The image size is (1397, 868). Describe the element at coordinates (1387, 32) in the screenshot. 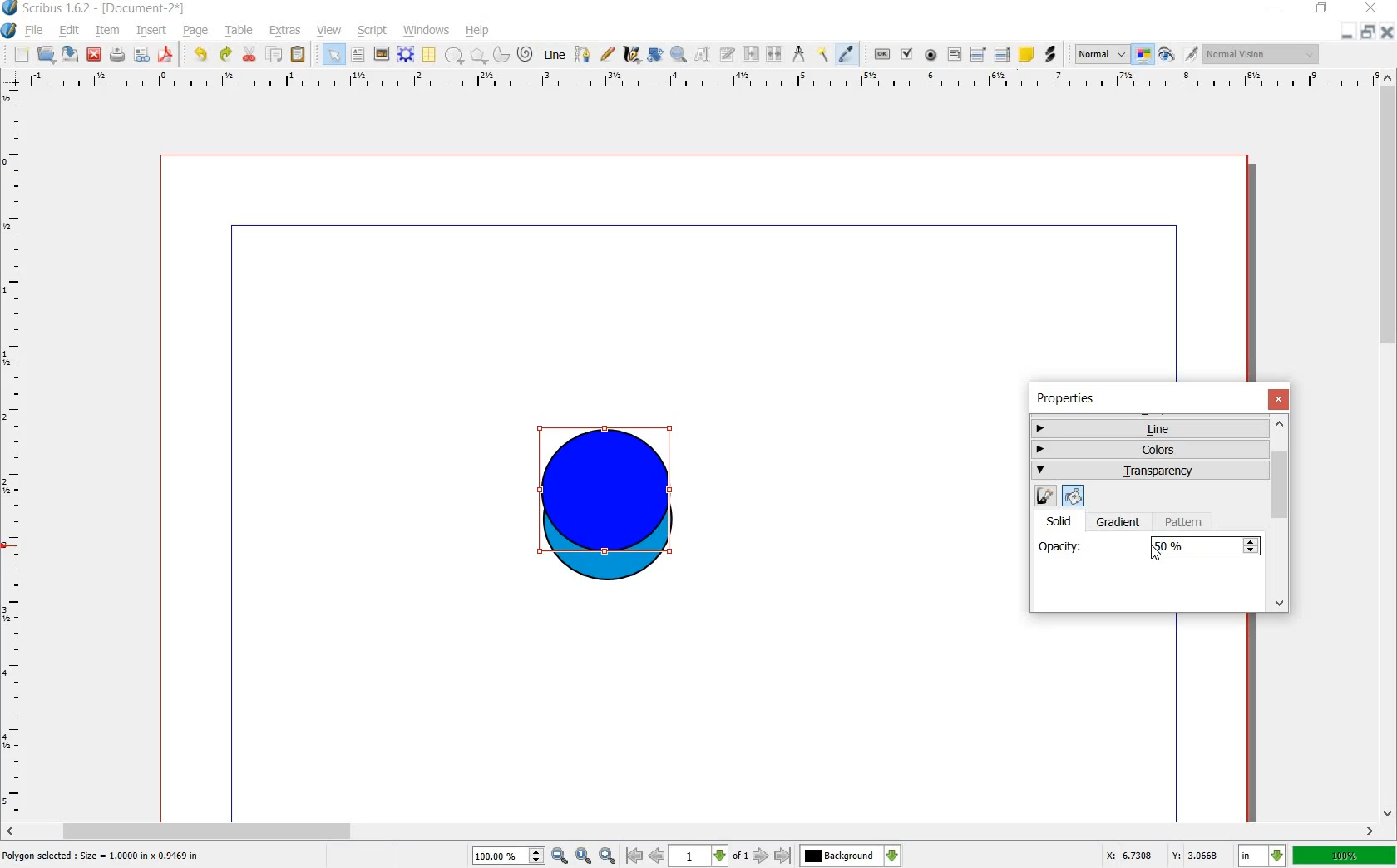

I see `close` at that location.